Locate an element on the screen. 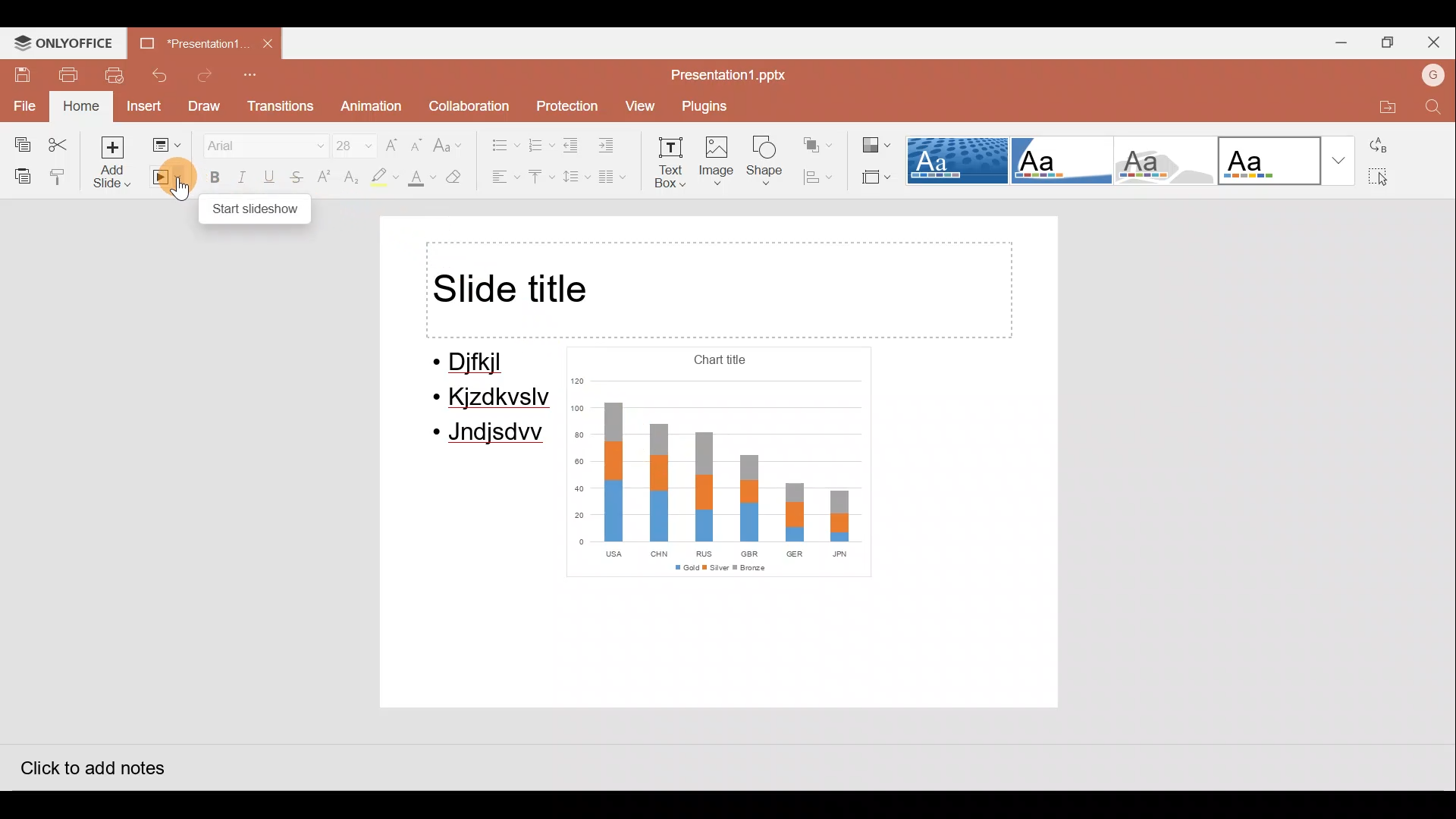 The width and height of the screenshot is (1456, 819). Decrease font size is located at coordinates (416, 143).